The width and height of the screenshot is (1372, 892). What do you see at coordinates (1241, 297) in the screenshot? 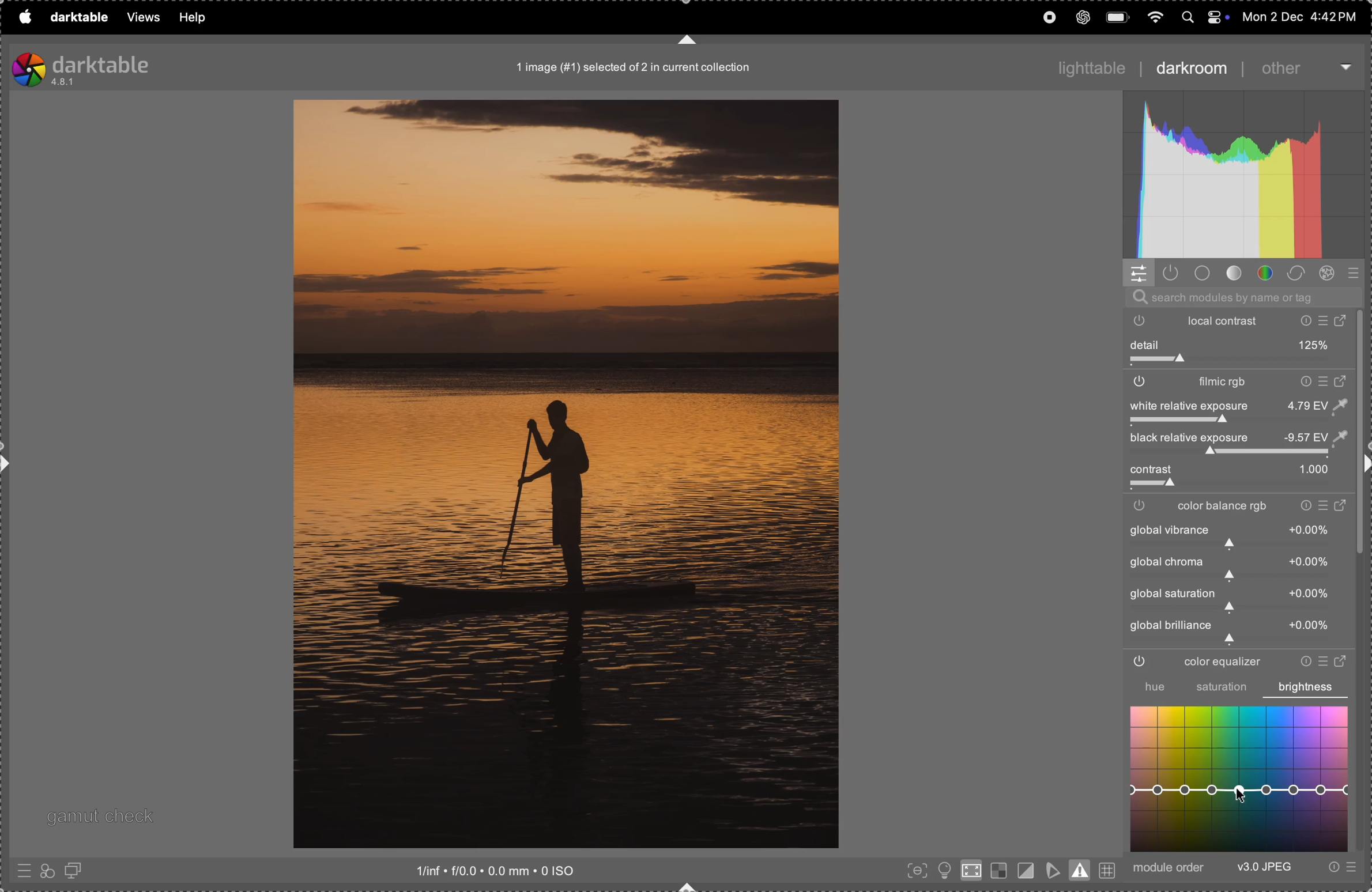
I see `searchbar` at bounding box center [1241, 297].